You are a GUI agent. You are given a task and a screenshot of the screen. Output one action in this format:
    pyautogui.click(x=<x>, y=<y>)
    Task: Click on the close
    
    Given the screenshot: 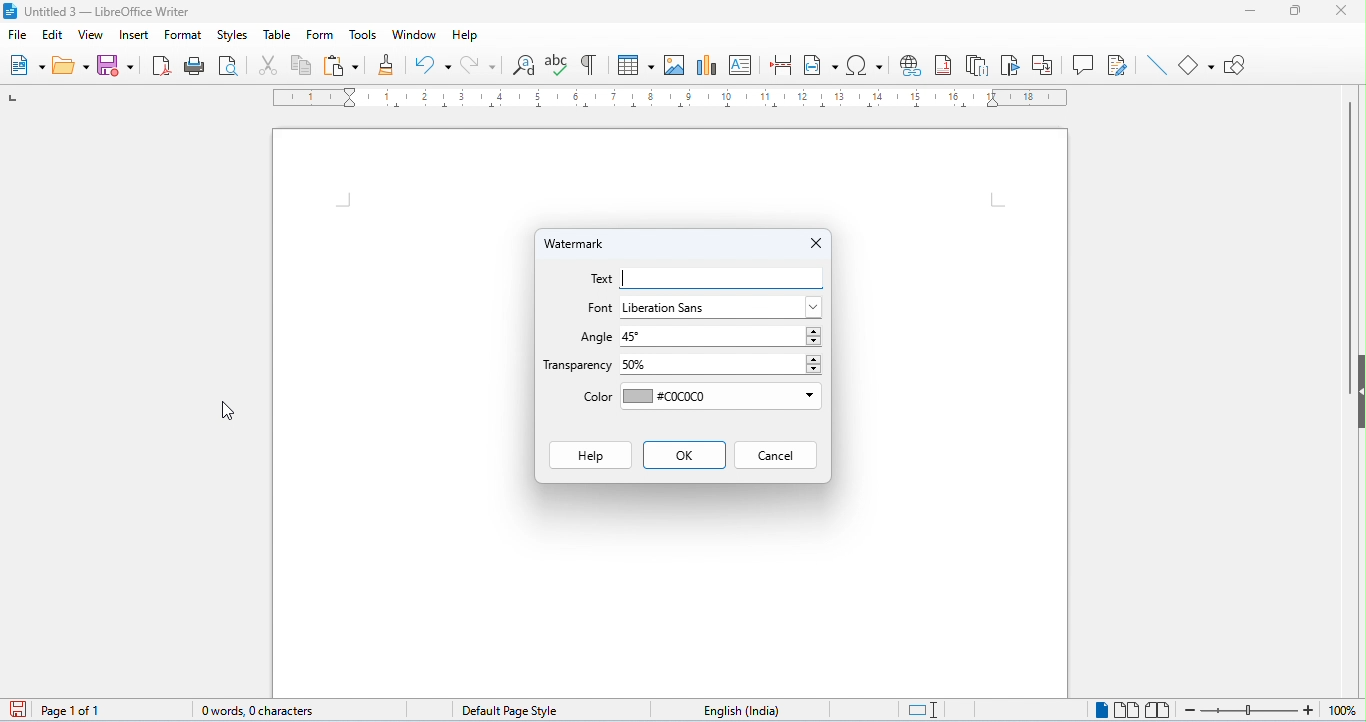 What is the action you would take?
    pyautogui.click(x=812, y=243)
    